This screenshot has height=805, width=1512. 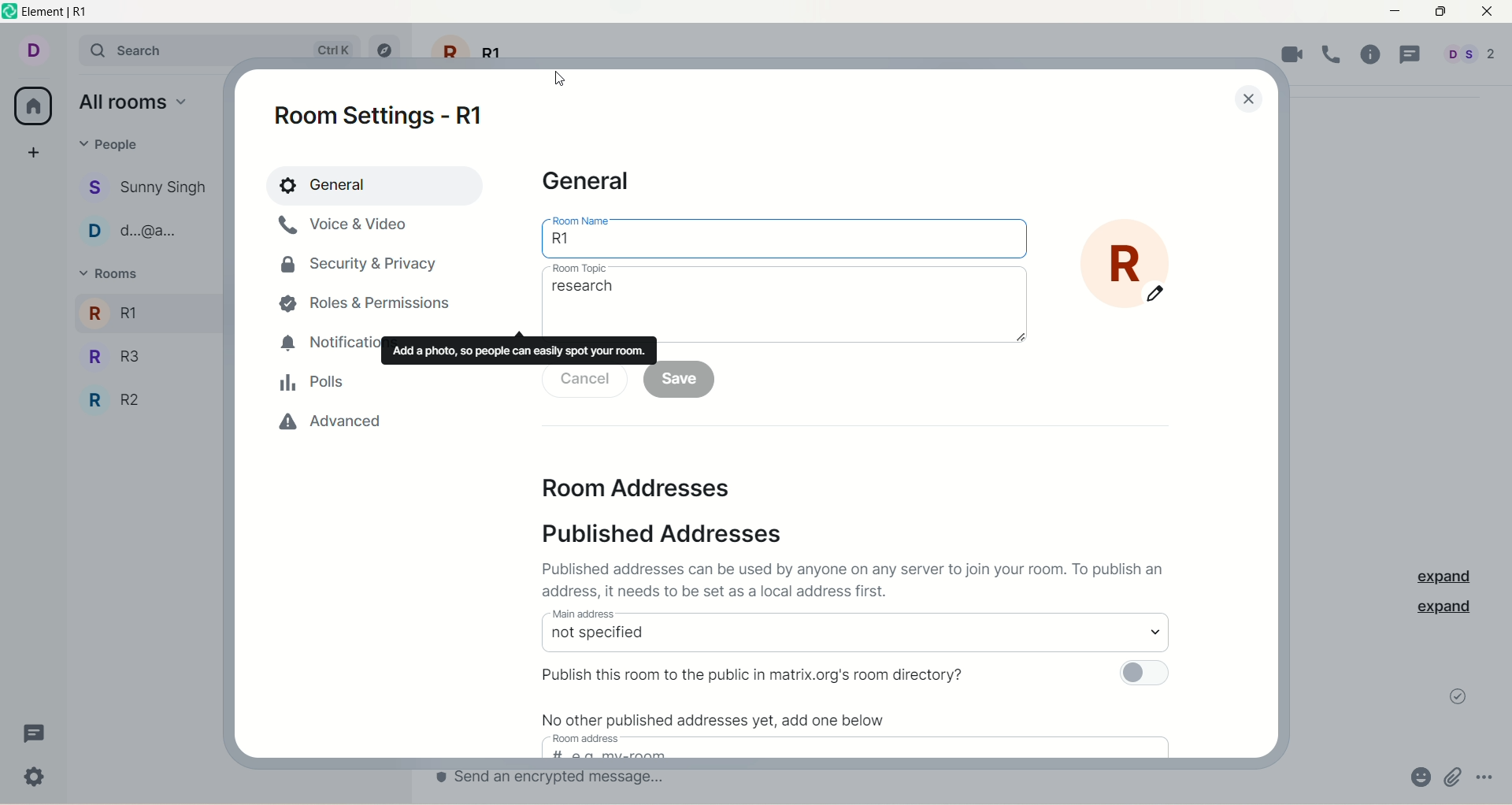 I want to click on message sent, so click(x=1456, y=699).